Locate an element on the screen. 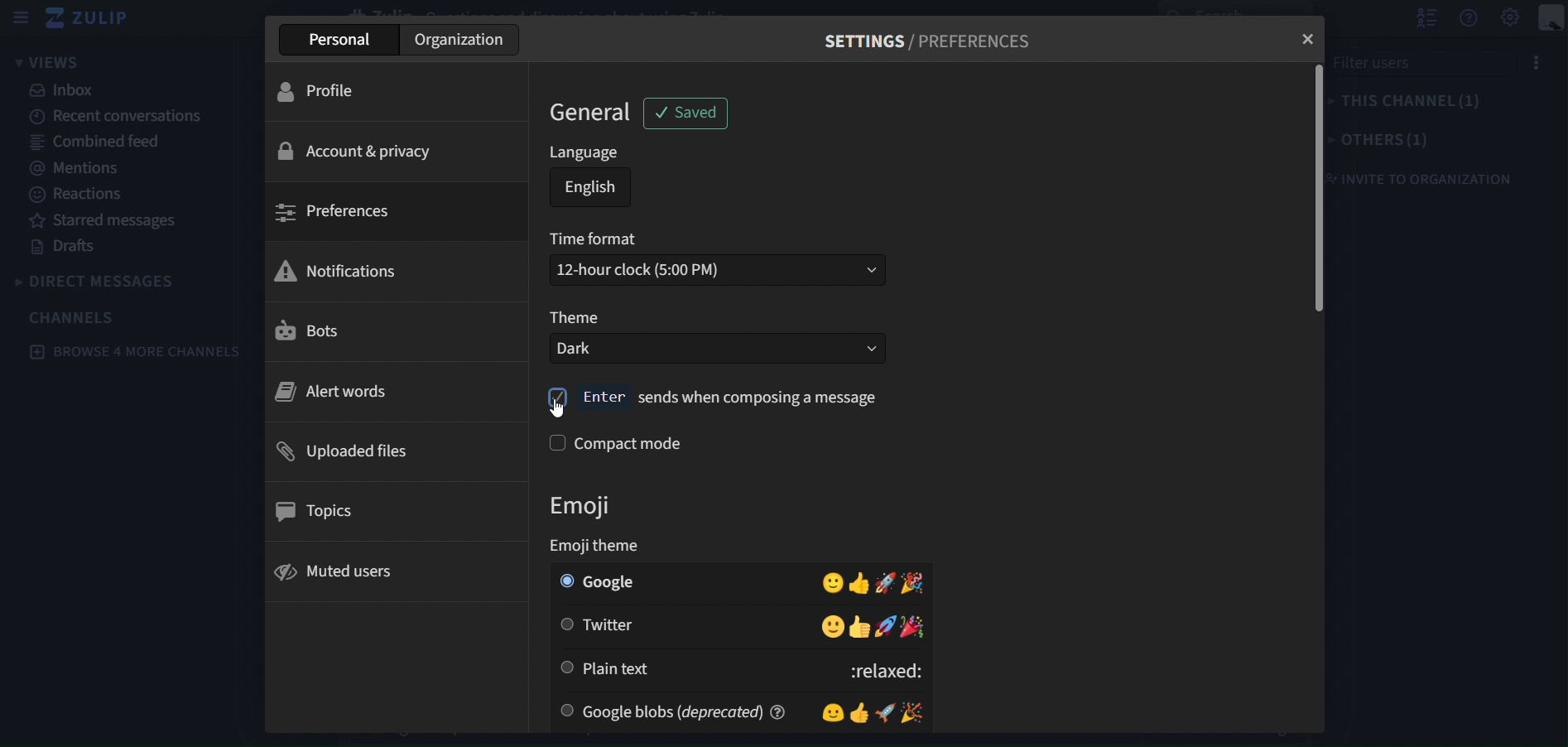  preferences is located at coordinates (392, 213).